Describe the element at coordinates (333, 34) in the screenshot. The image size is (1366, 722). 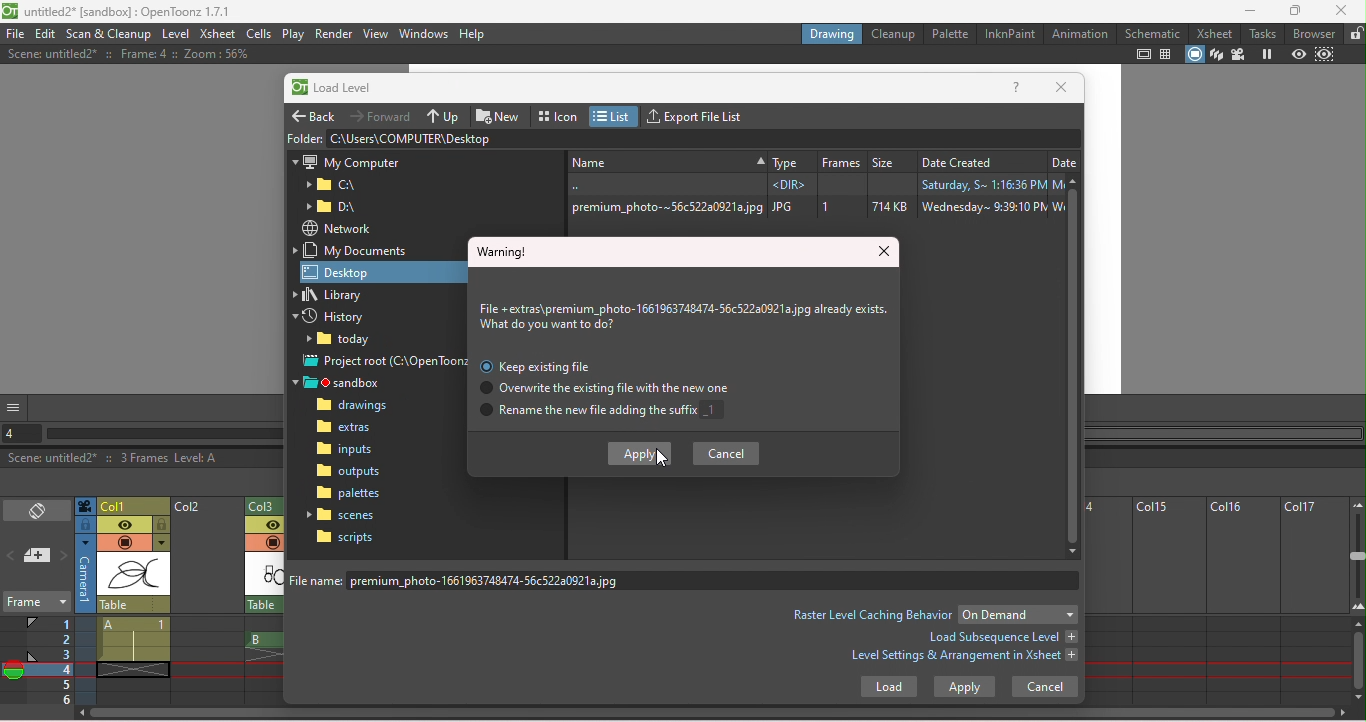
I see `Render` at that location.